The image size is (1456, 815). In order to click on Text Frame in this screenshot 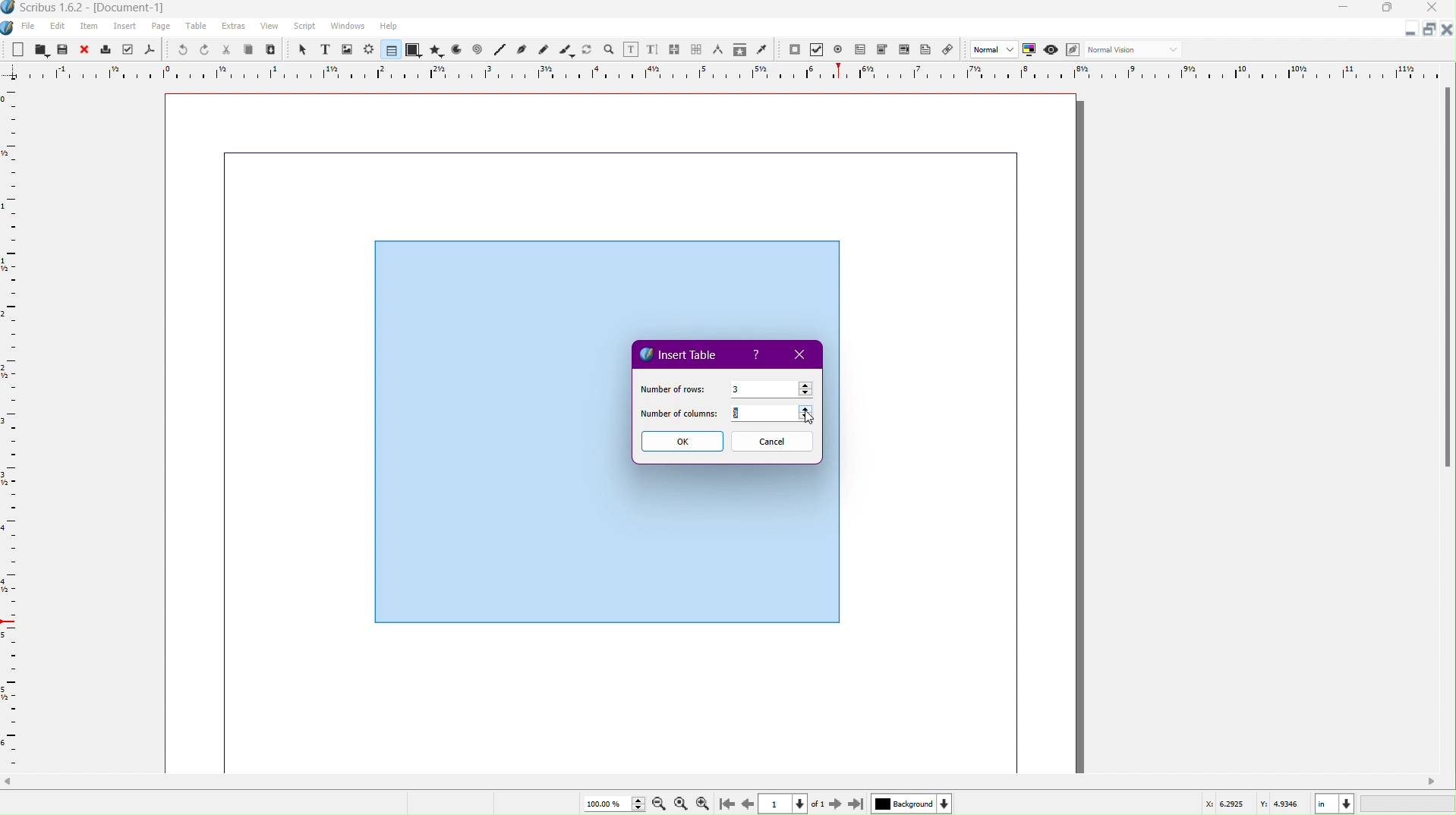, I will do `click(324, 49)`.